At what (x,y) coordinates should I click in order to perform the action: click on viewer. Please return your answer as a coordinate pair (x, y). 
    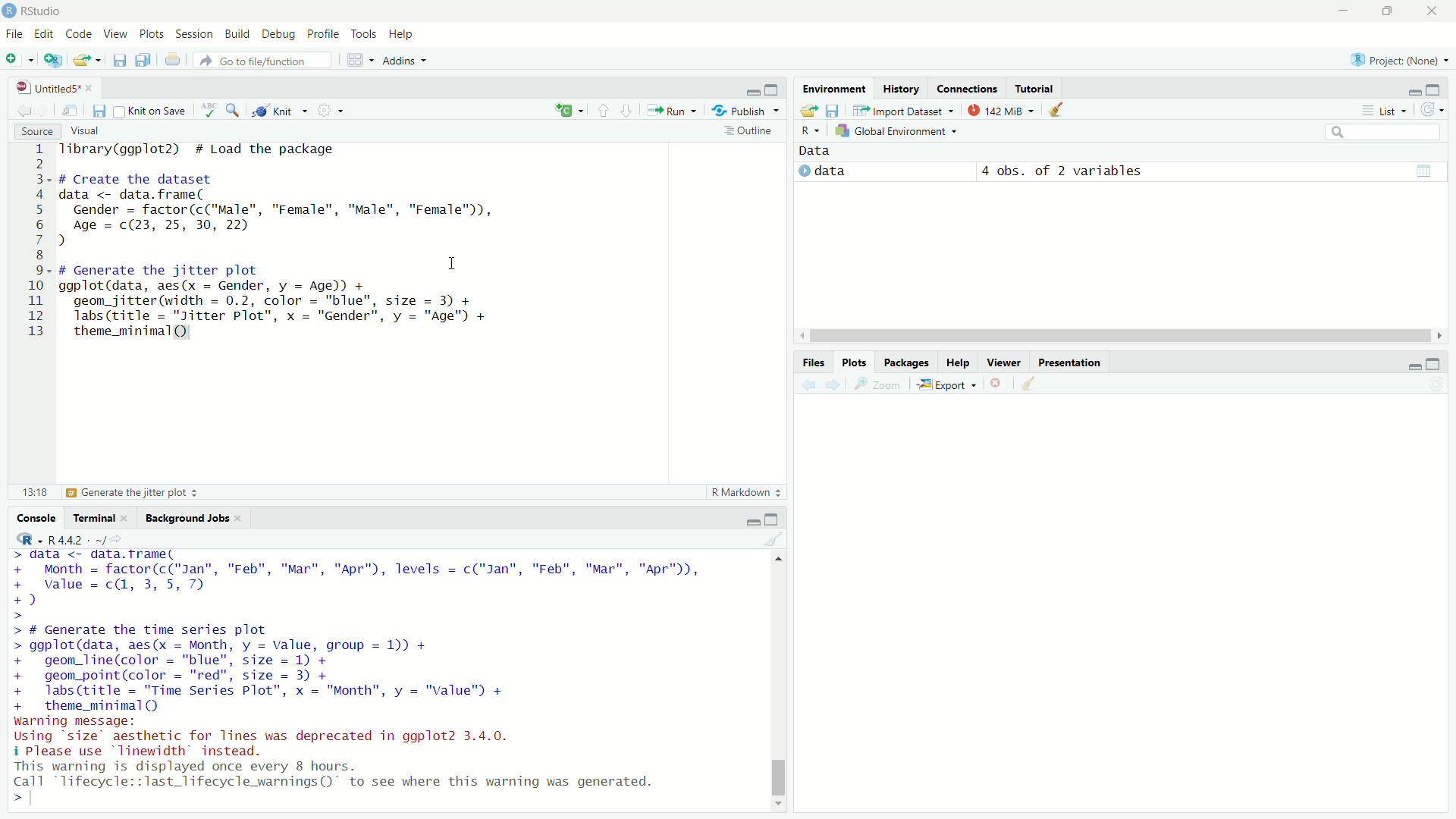
    Looking at the image, I should click on (1003, 364).